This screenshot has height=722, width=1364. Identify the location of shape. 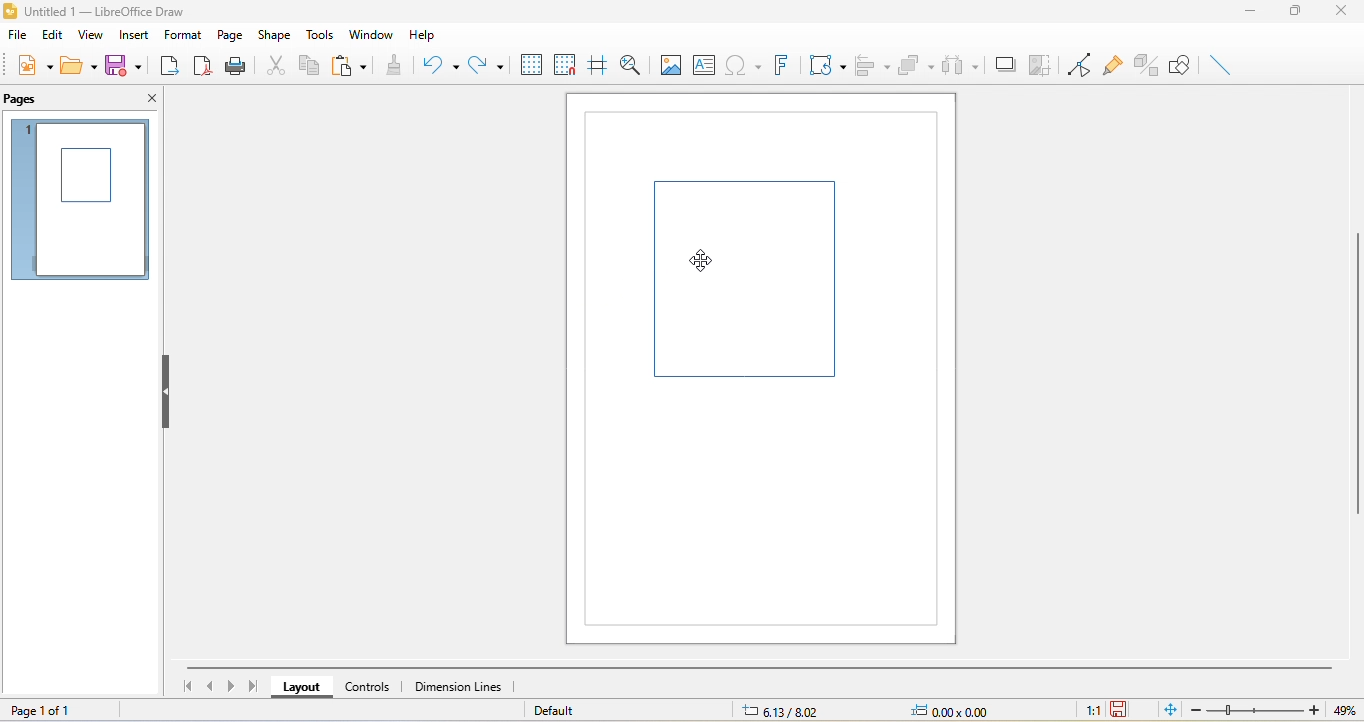
(275, 34).